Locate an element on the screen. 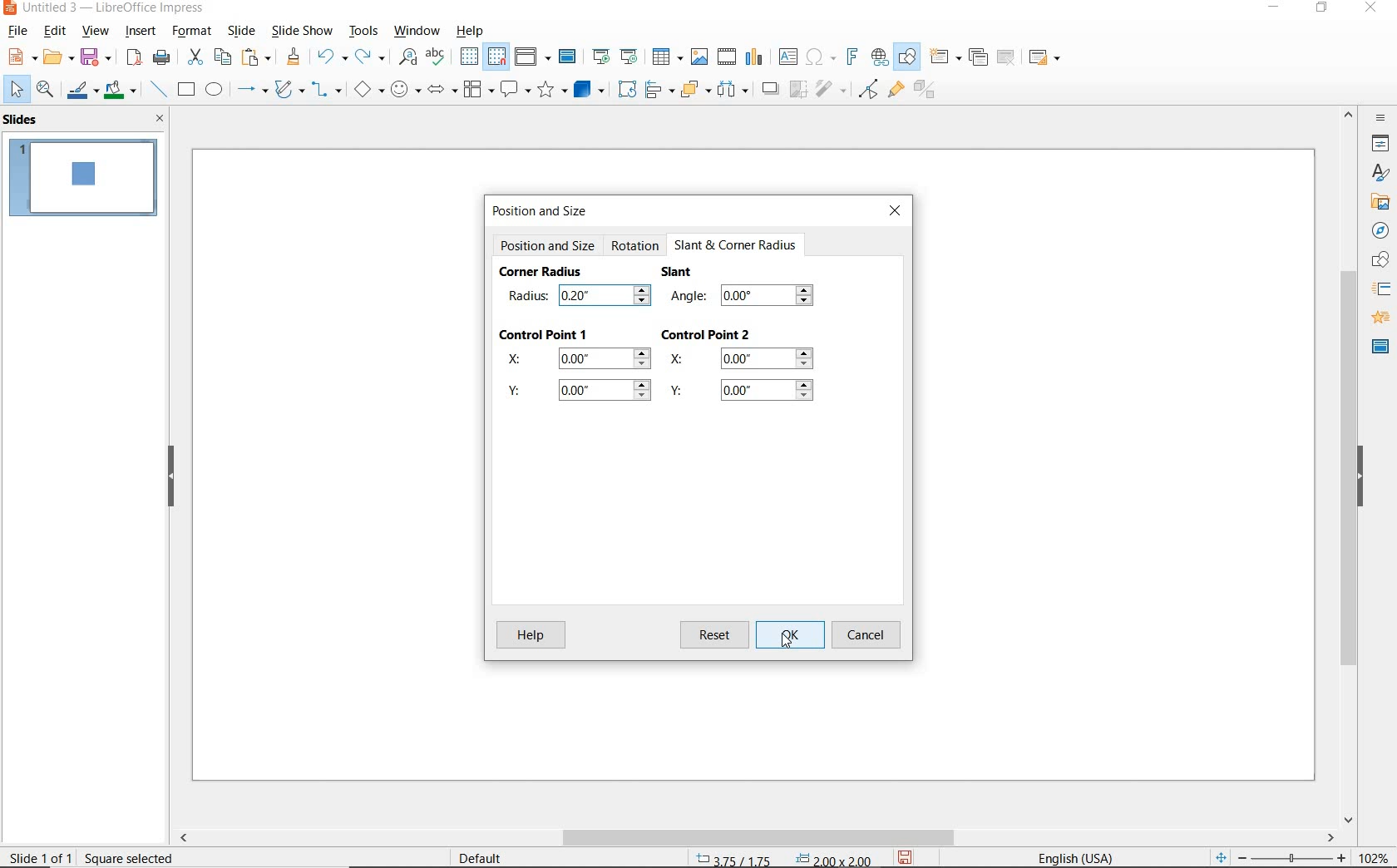 The image size is (1397, 868). edit is located at coordinates (55, 32).